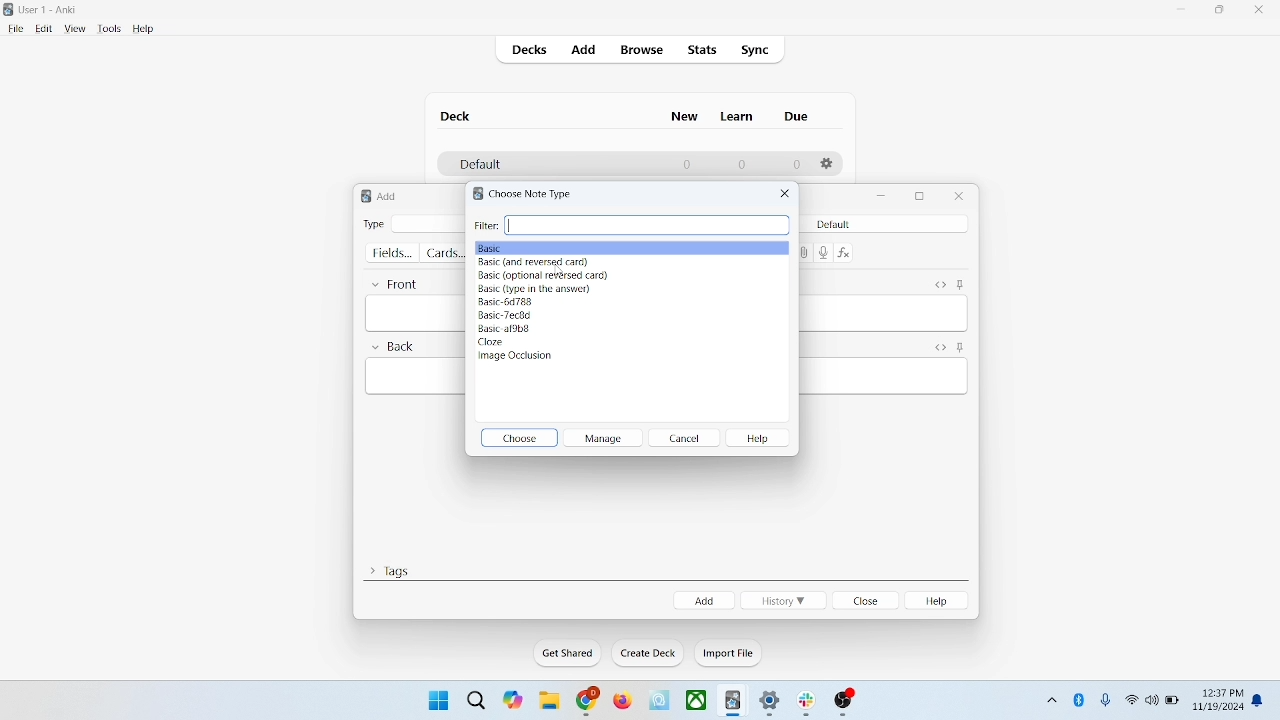  I want to click on get shared, so click(569, 654).